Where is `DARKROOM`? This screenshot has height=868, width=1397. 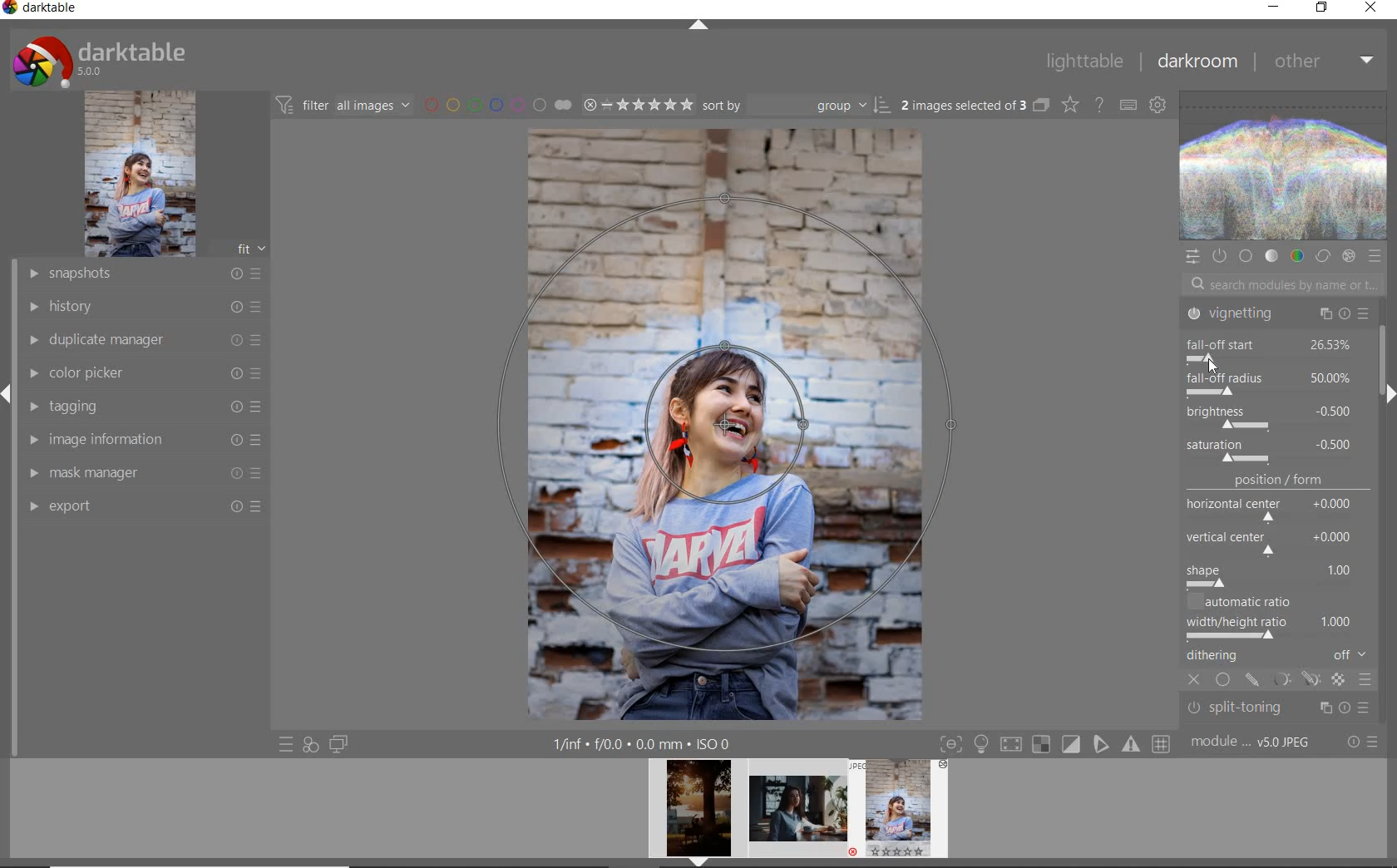
DARKROOM is located at coordinates (1197, 62).